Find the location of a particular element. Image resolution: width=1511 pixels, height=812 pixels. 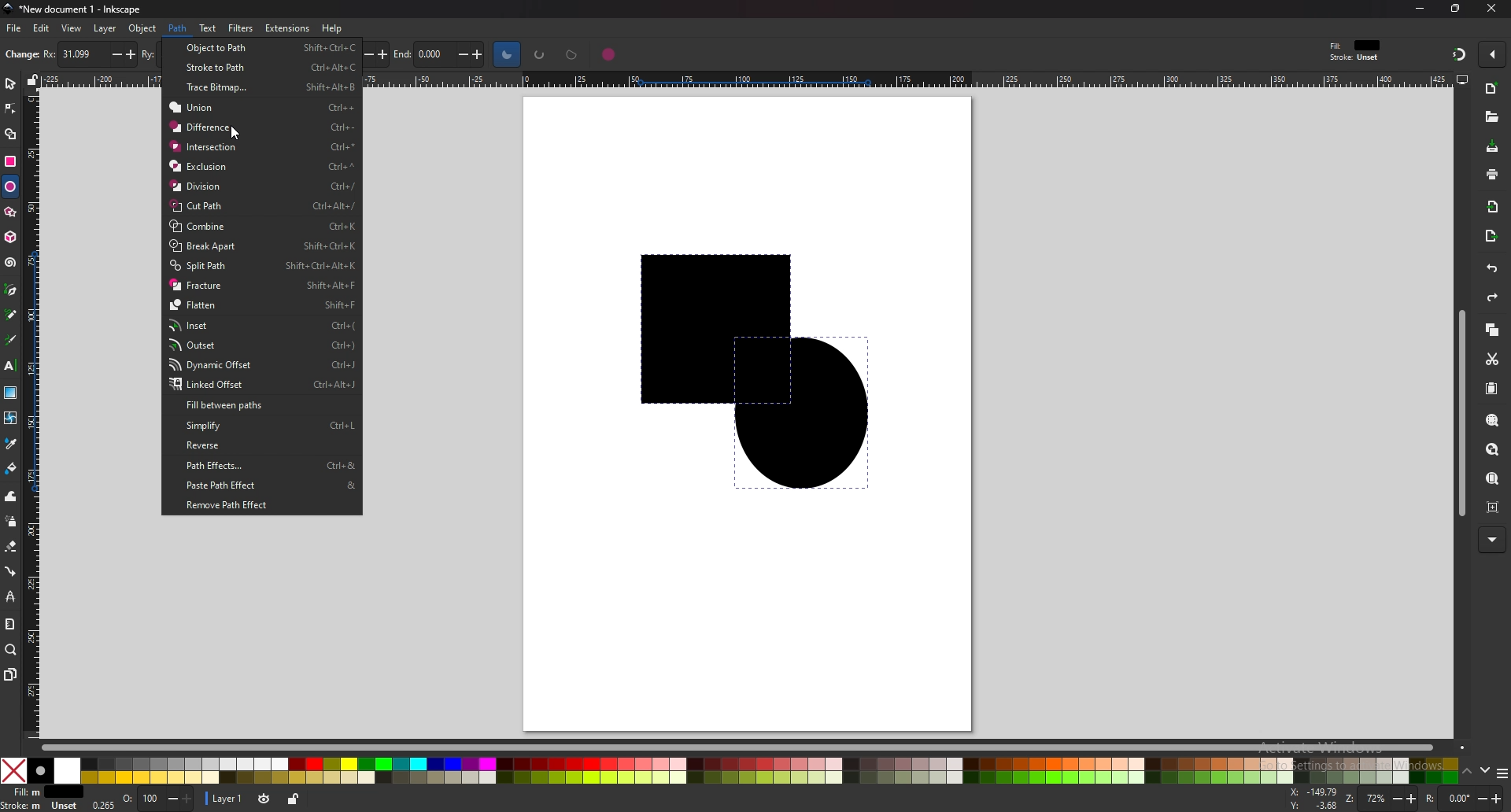

shapes is located at coordinates (737, 372).